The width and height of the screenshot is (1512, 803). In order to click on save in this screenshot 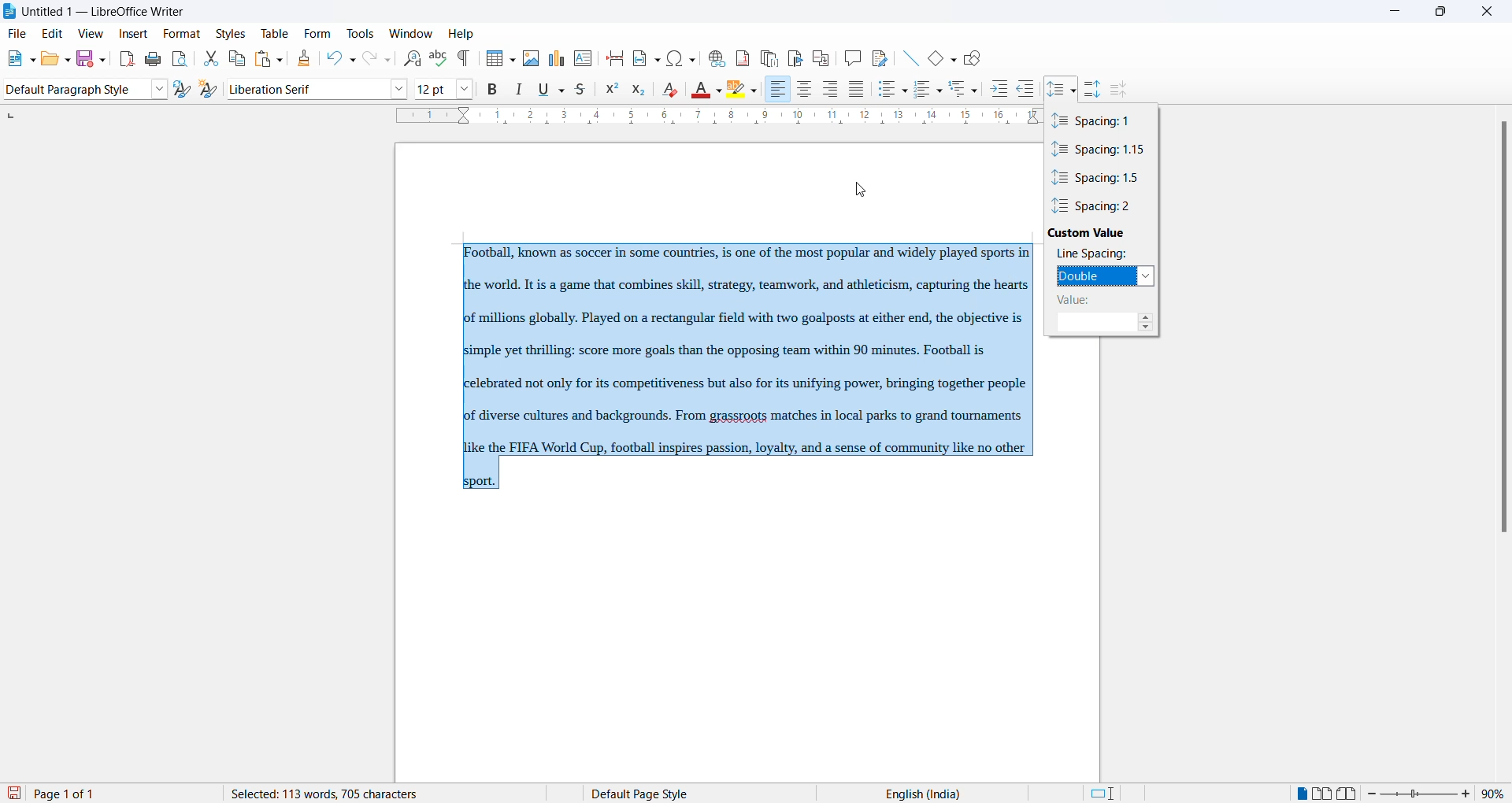, I will do `click(14, 793)`.